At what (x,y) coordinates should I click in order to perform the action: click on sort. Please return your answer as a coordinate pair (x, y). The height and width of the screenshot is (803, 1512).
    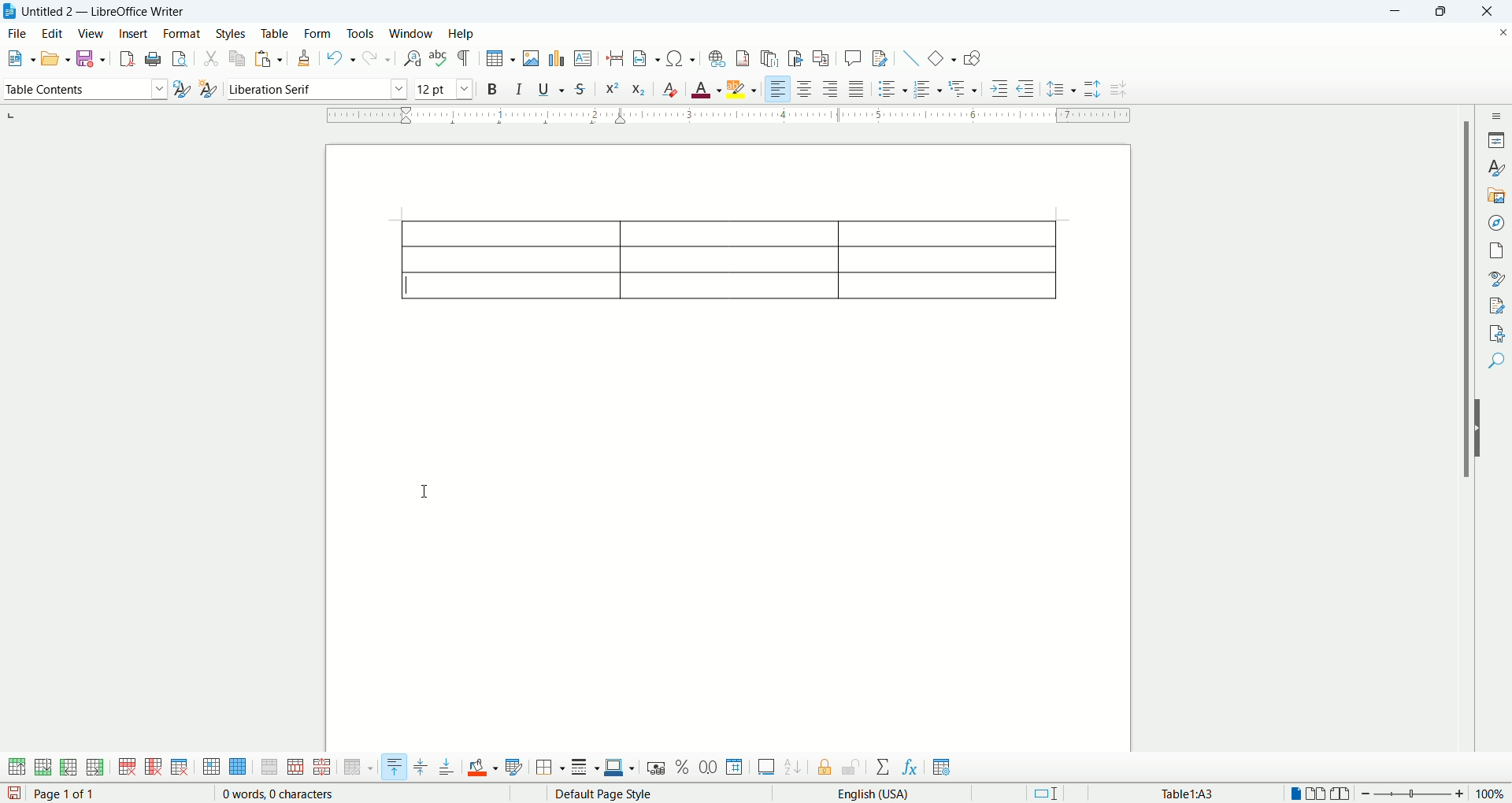
    Looking at the image, I should click on (791, 769).